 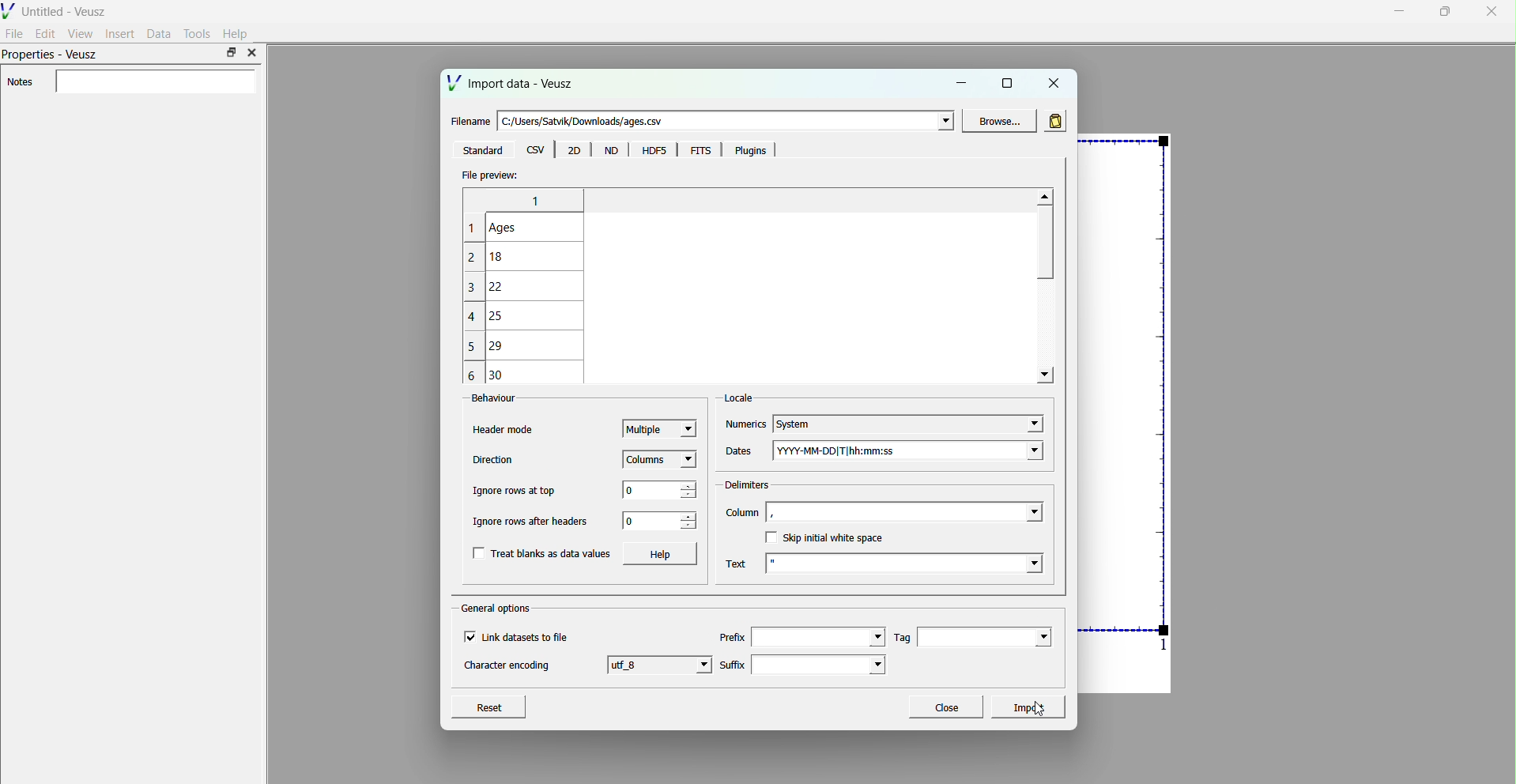 I want to click on Ignore rows after headers, so click(x=534, y=522).